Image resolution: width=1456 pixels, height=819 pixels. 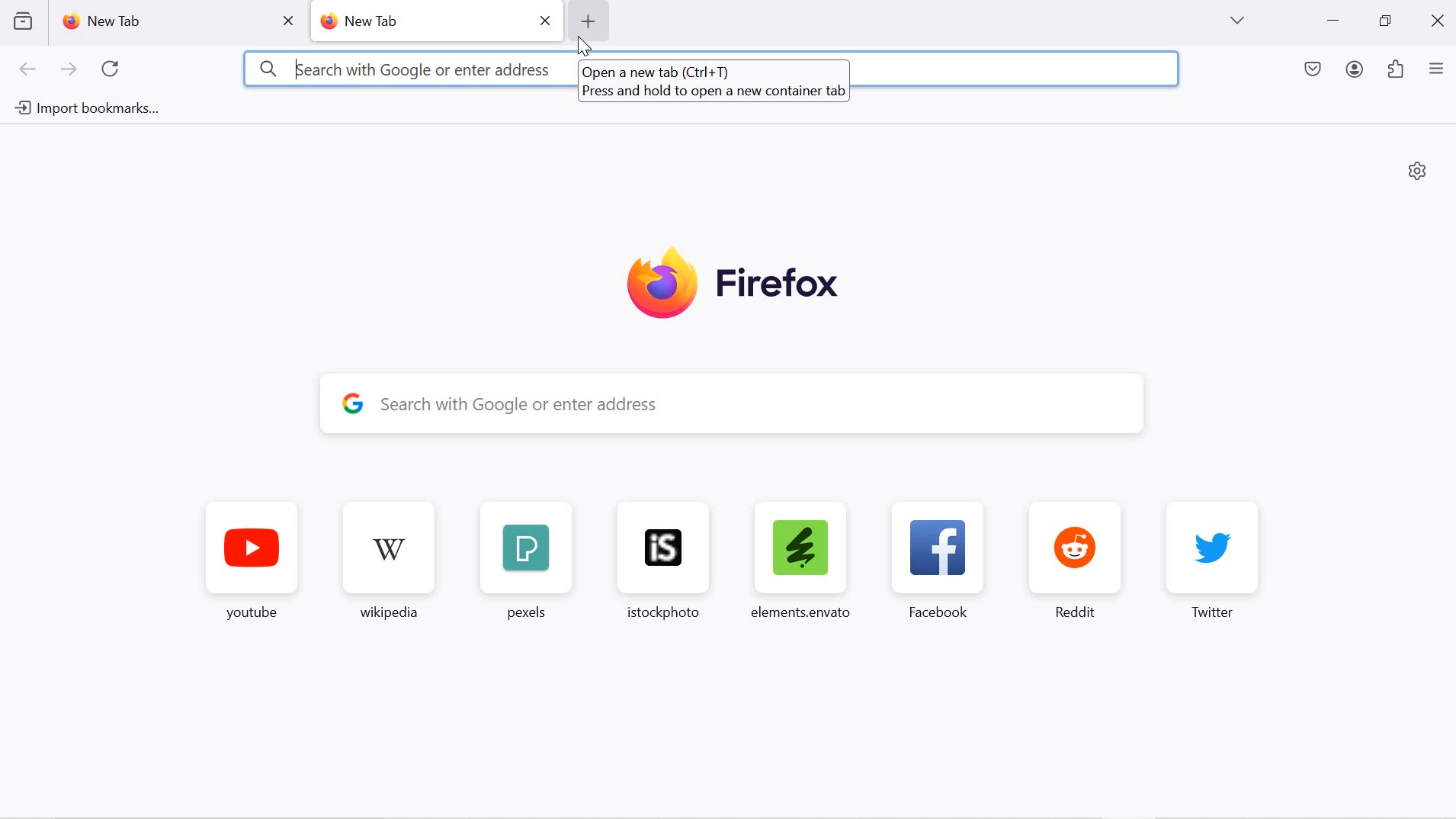 What do you see at coordinates (290, 21) in the screenshot?
I see `close tab` at bounding box center [290, 21].